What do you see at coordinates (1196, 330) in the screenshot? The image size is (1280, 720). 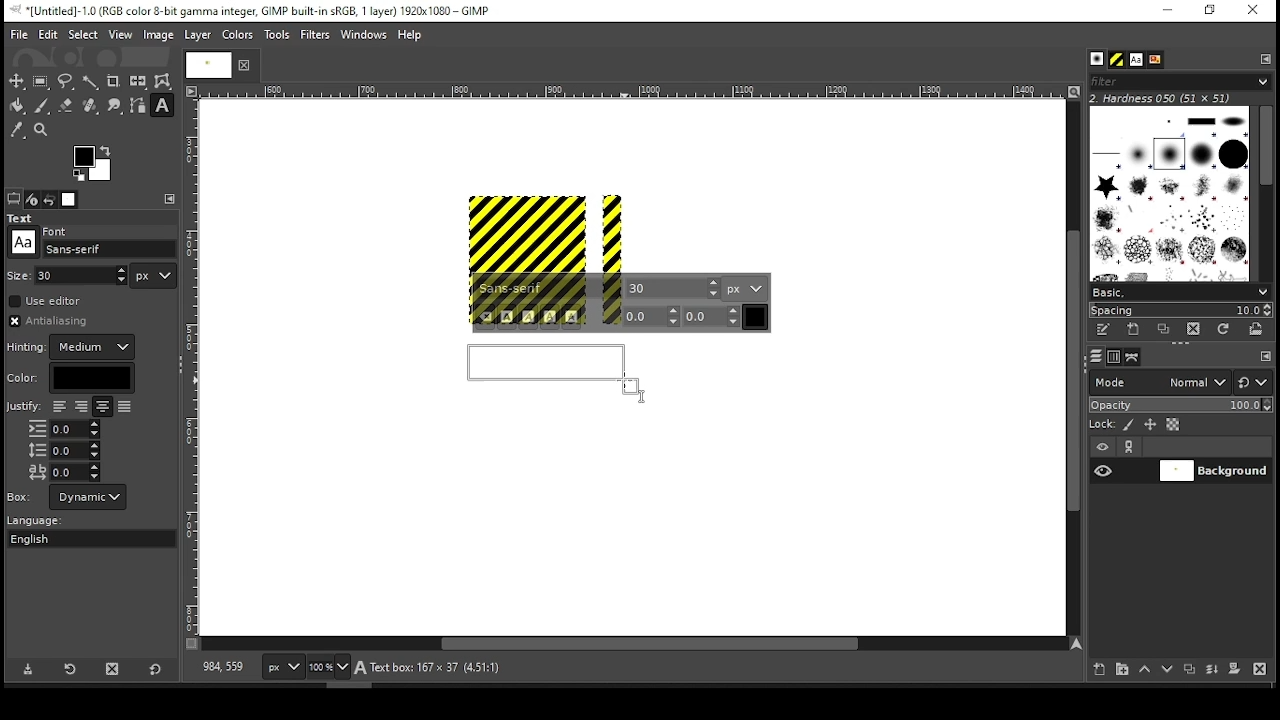 I see `delete brush` at bounding box center [1196, 330].